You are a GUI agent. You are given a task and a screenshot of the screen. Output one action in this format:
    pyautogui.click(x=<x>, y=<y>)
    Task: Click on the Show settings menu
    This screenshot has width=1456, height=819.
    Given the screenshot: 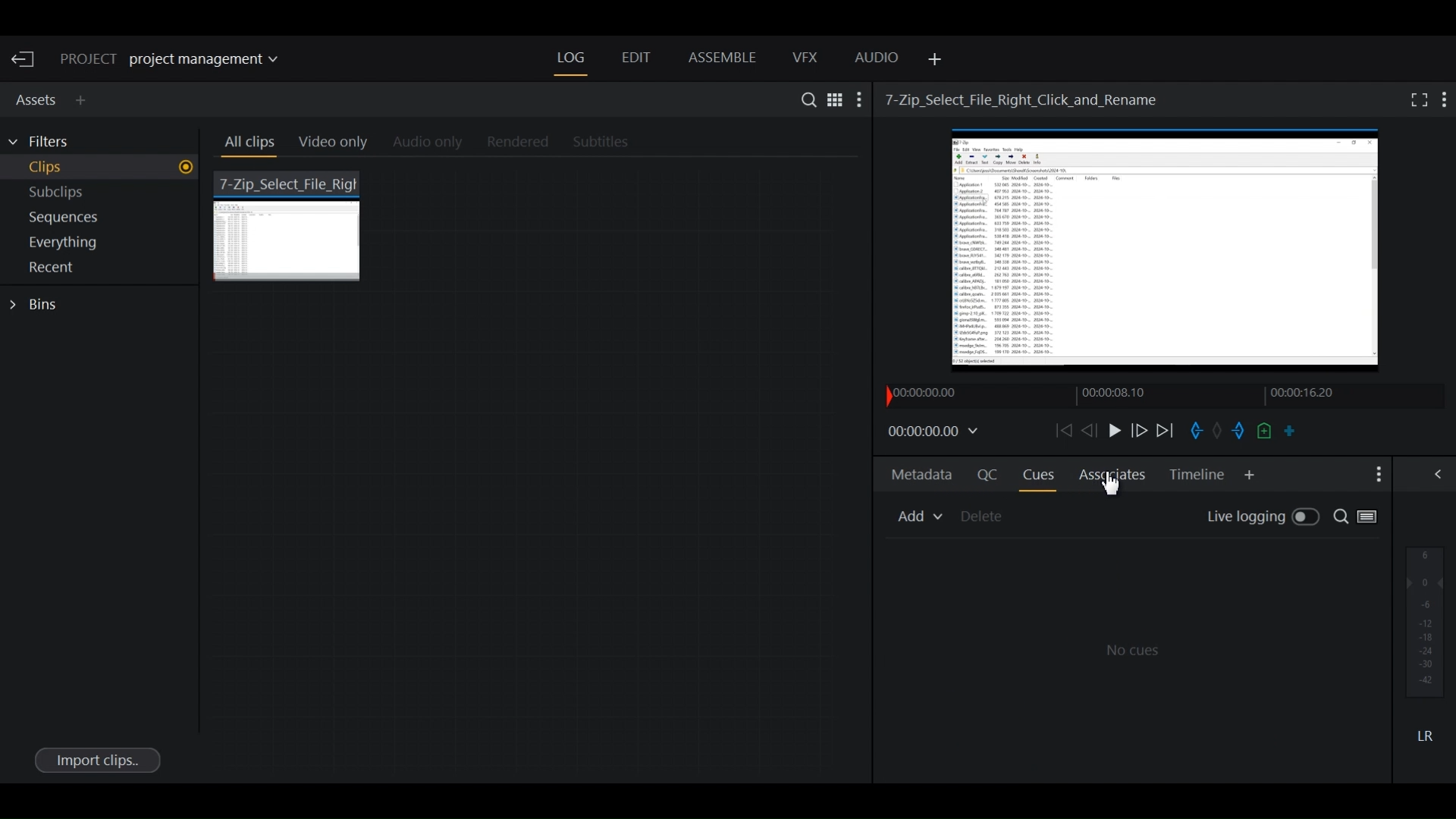 What is the action you would take?
    pyautogui.click(x=1376, y=475)
    